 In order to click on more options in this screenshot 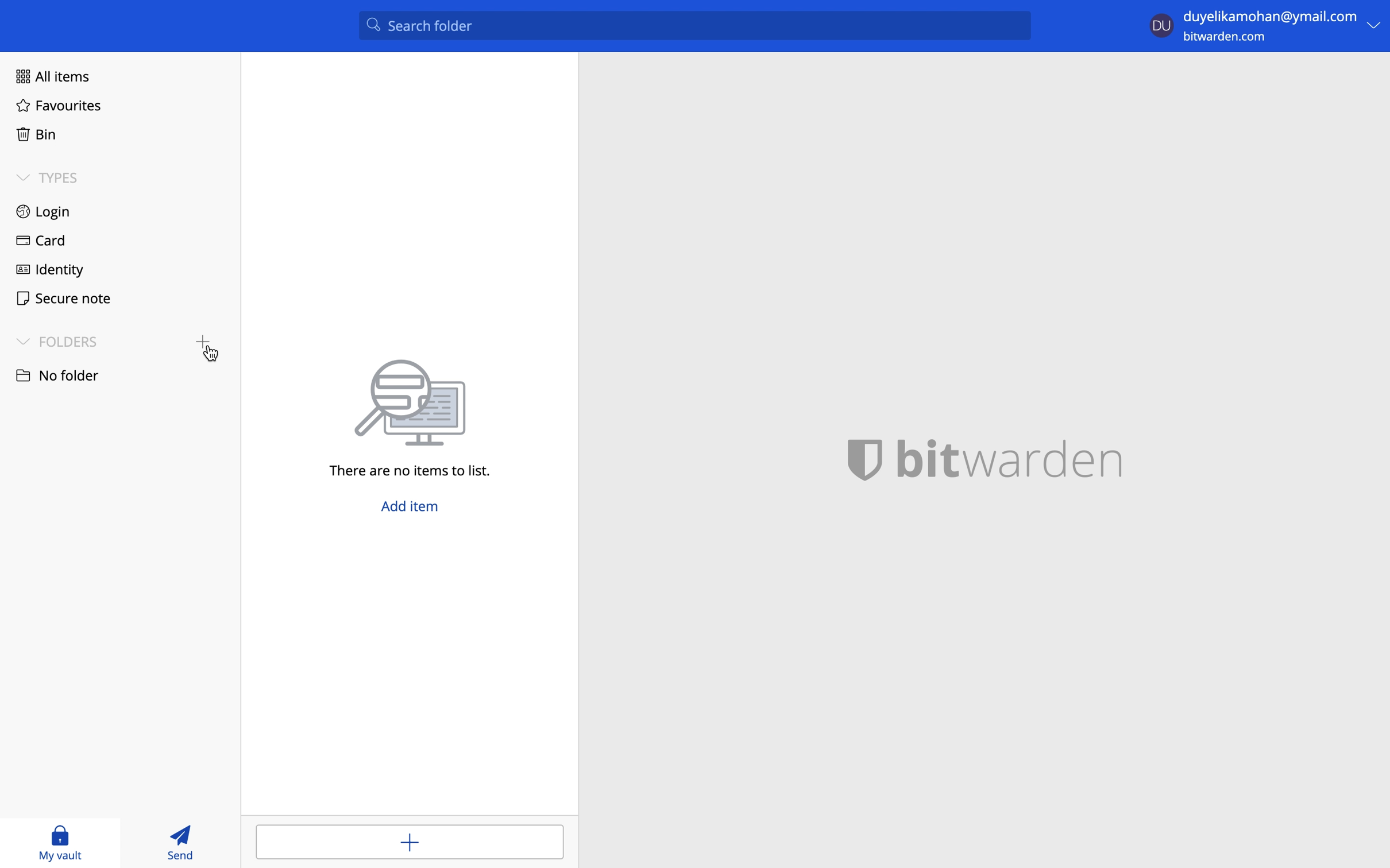, I will do `click(1377, 25)`.